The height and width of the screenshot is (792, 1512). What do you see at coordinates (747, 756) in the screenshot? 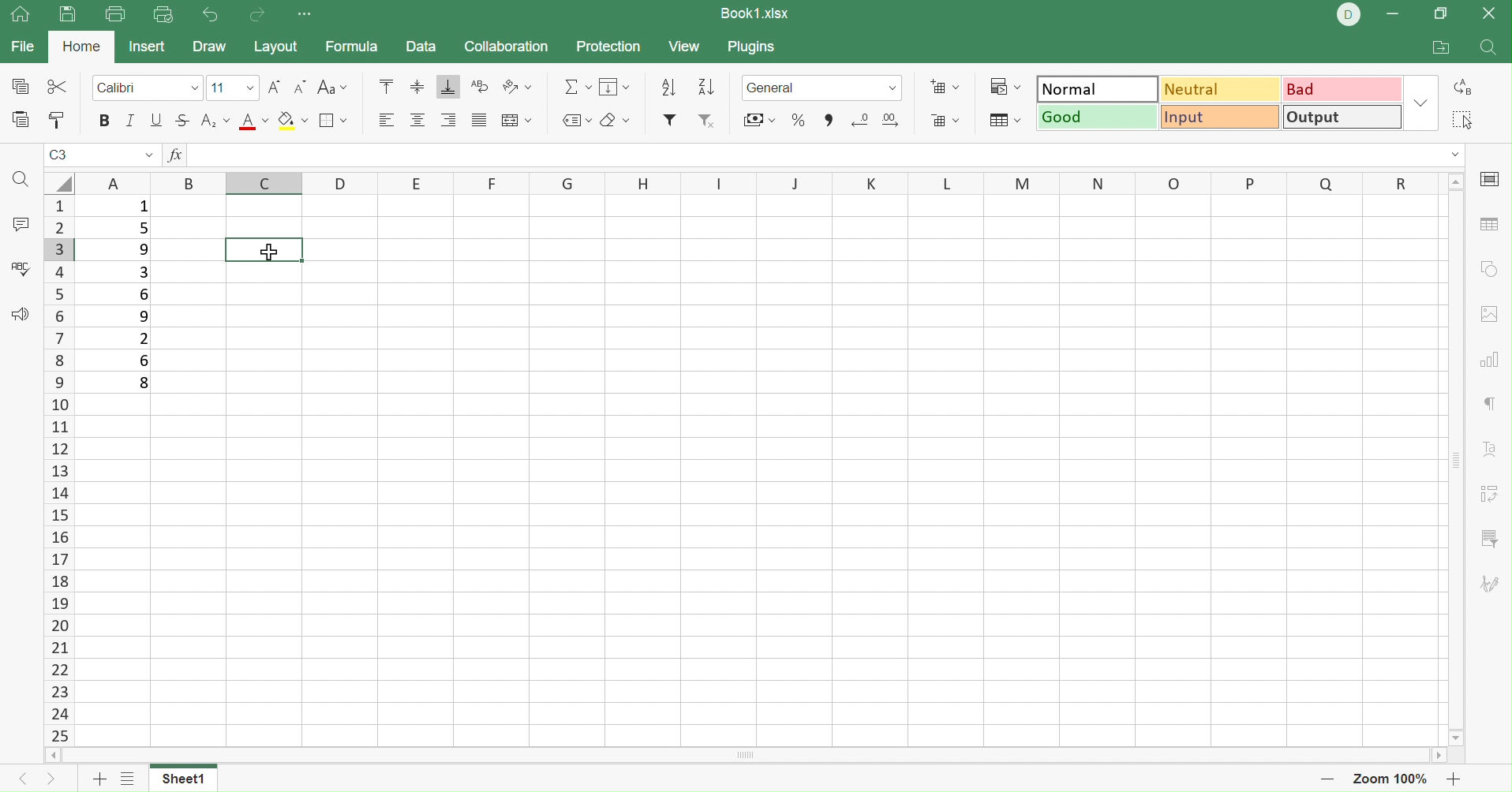
I see `Scroll bar` at bounding box center [747, 756].